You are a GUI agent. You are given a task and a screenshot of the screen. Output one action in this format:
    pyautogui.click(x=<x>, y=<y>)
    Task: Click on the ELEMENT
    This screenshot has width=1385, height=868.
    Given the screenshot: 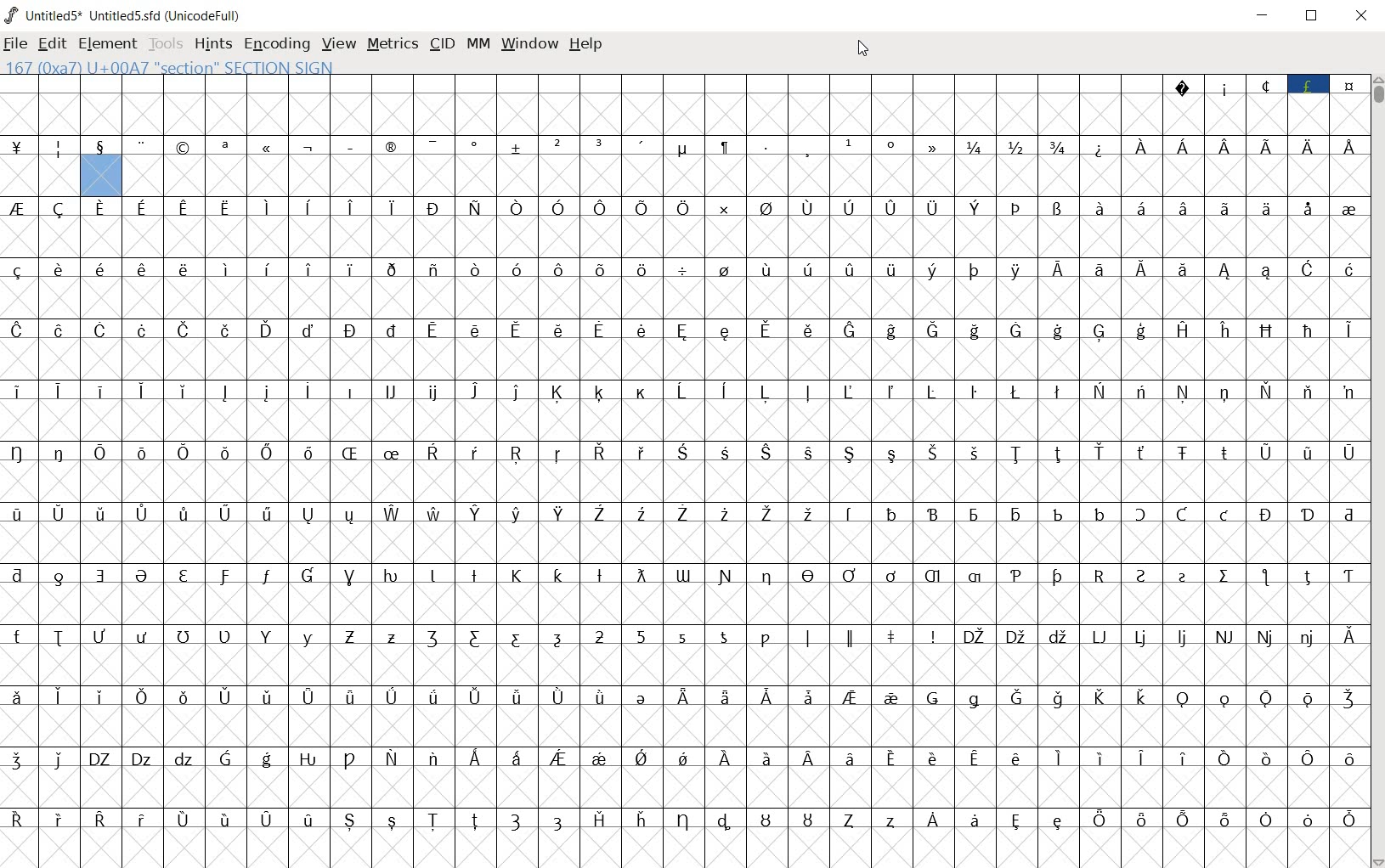 What is the action you would take?
    pyautogui.click(x=108, y=44)
    